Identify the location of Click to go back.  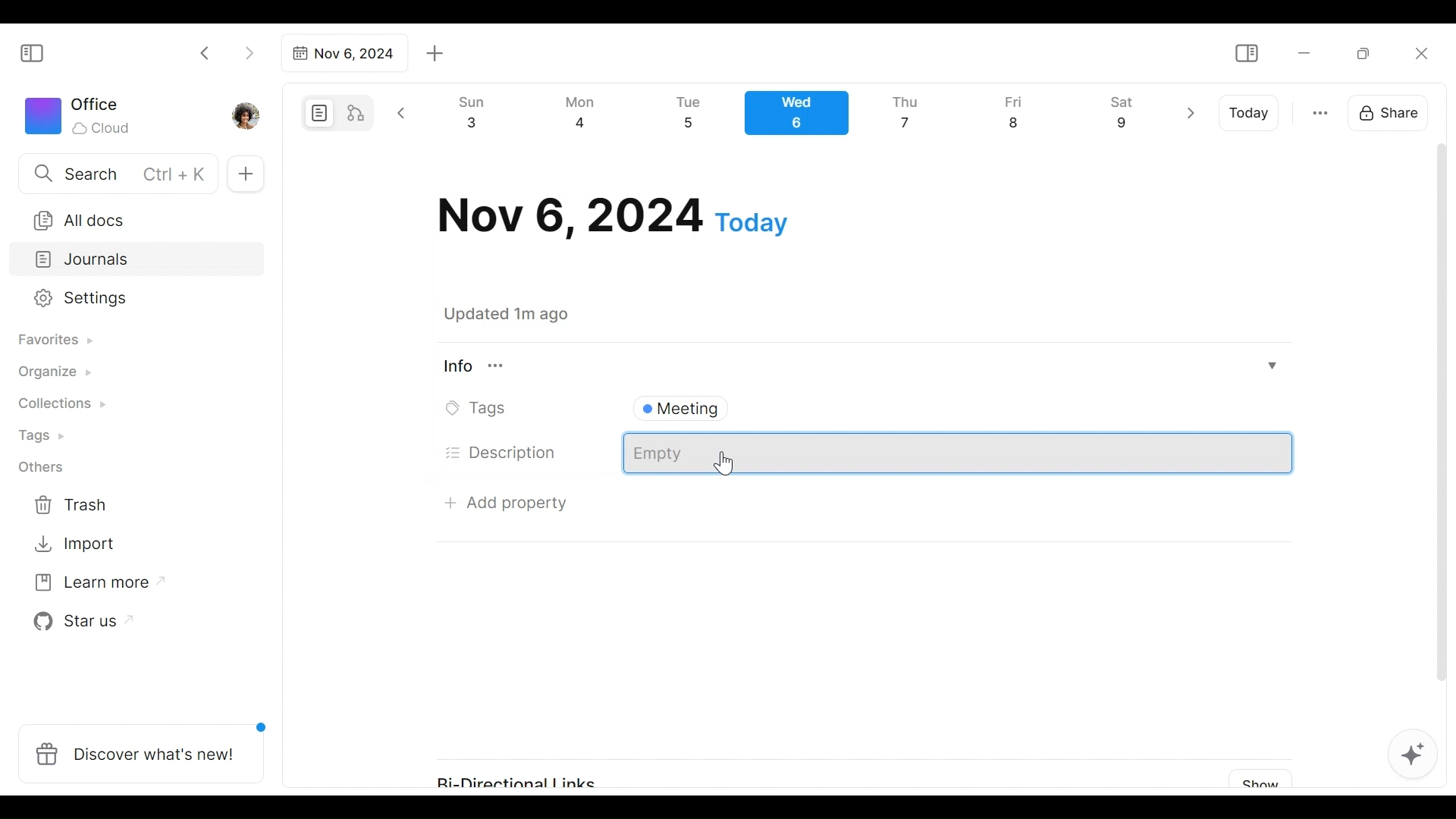
(206, 52).